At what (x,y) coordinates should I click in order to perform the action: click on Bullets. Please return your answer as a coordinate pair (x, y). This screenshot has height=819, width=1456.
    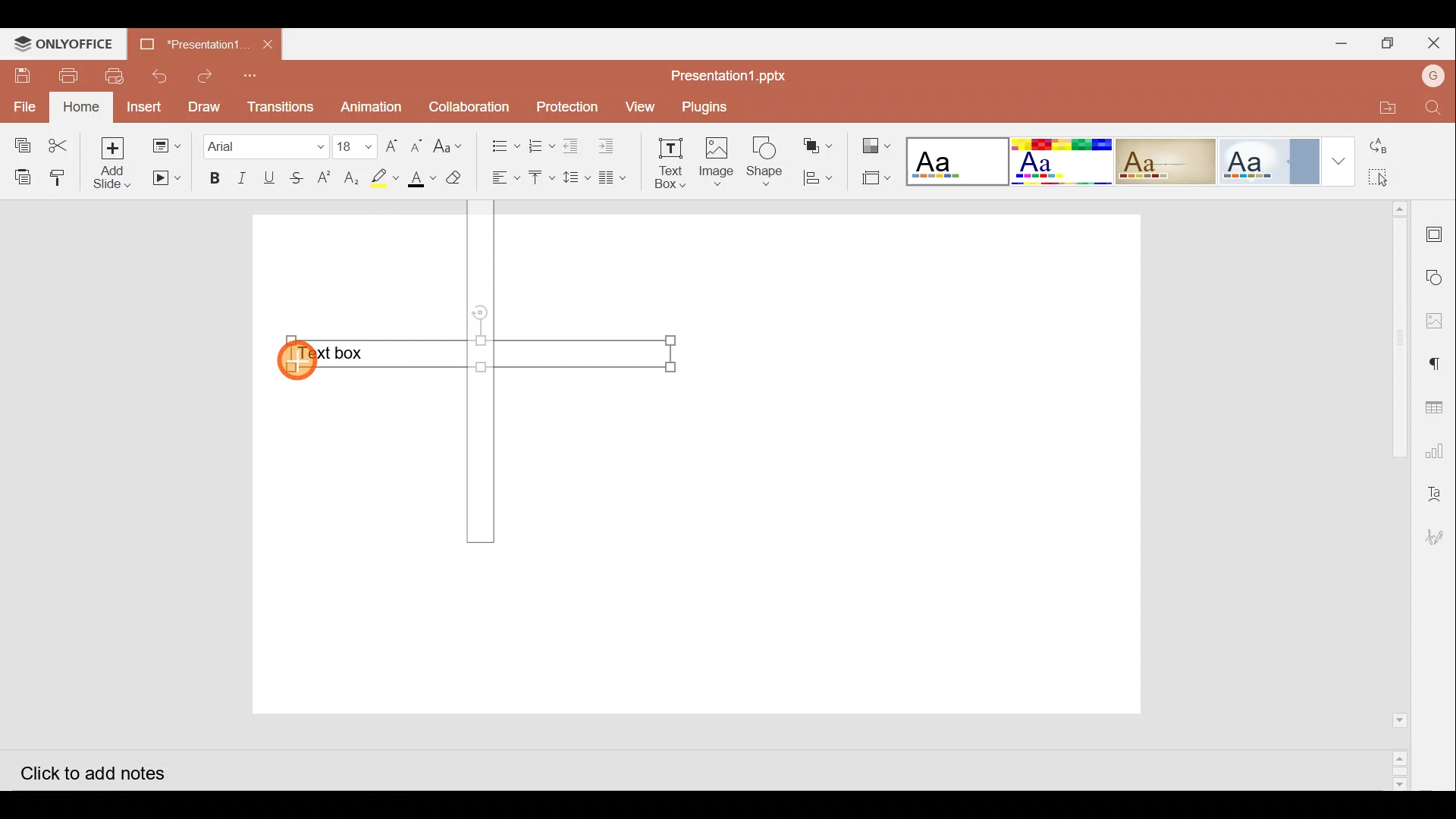
    Looking at the image, I should click on (501, 142).